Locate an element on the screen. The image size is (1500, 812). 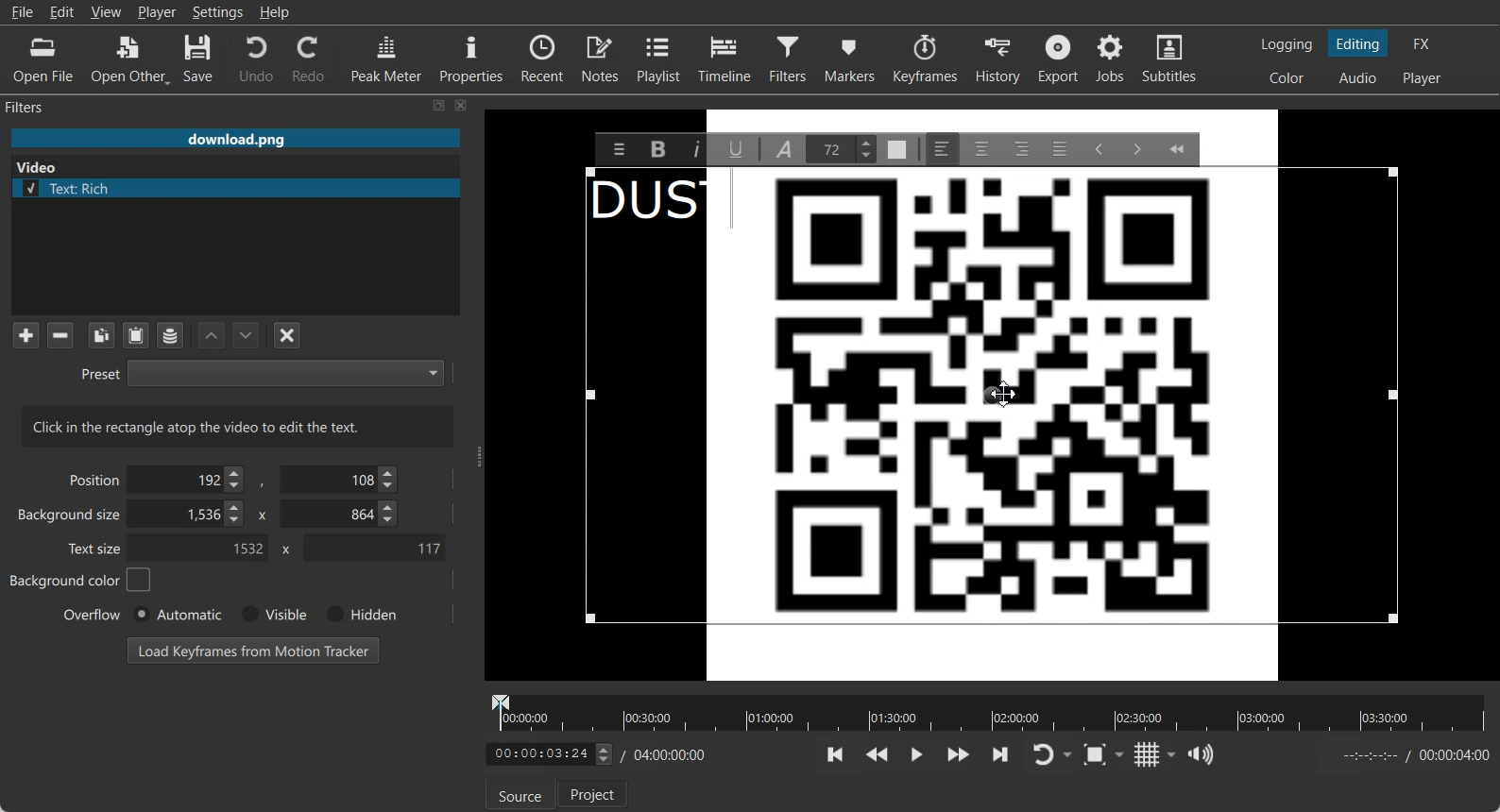
Copy checked filters is located at coordinates (101, 335).